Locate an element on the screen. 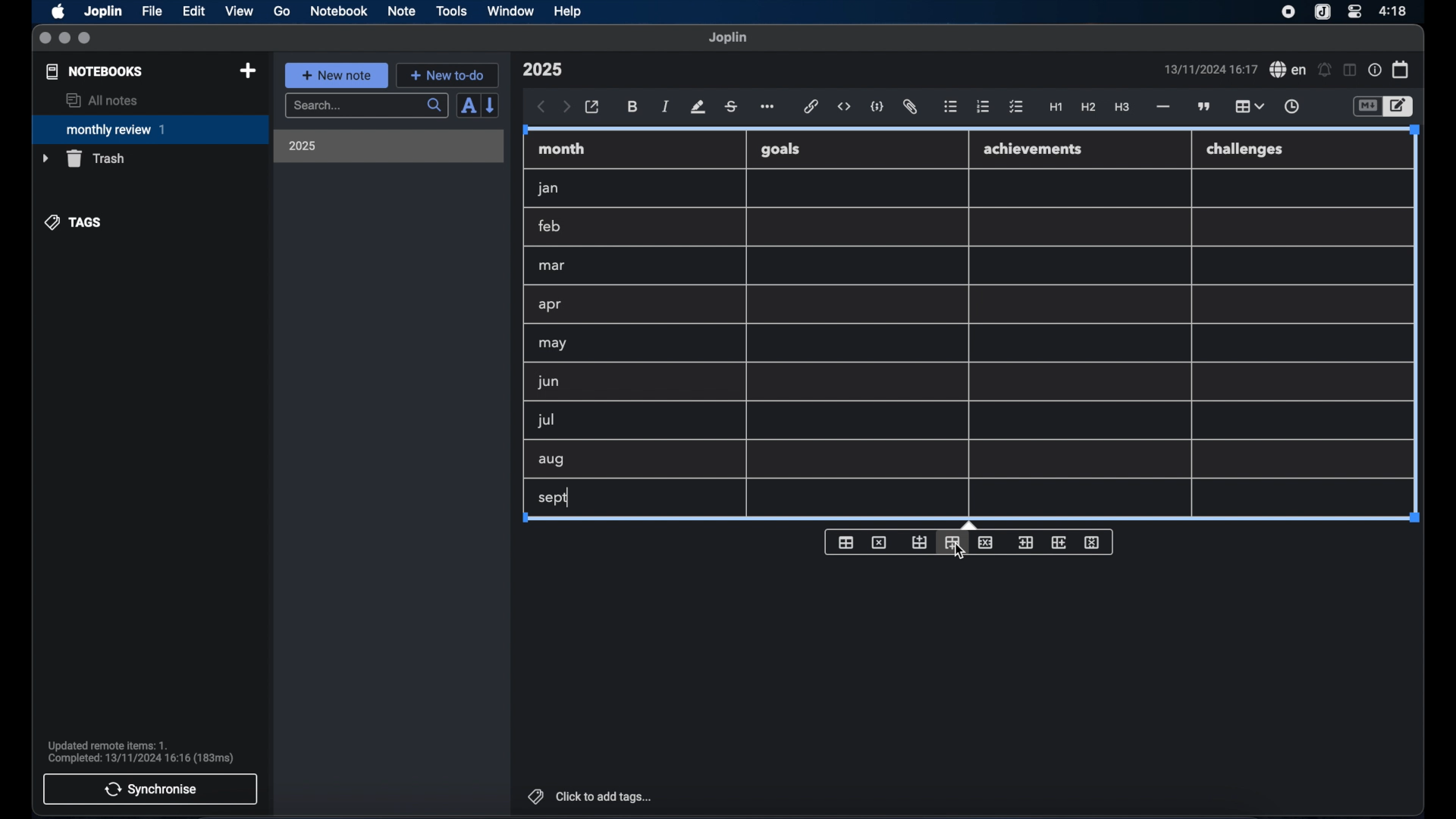  notebook is located at coordinates (339, 11).